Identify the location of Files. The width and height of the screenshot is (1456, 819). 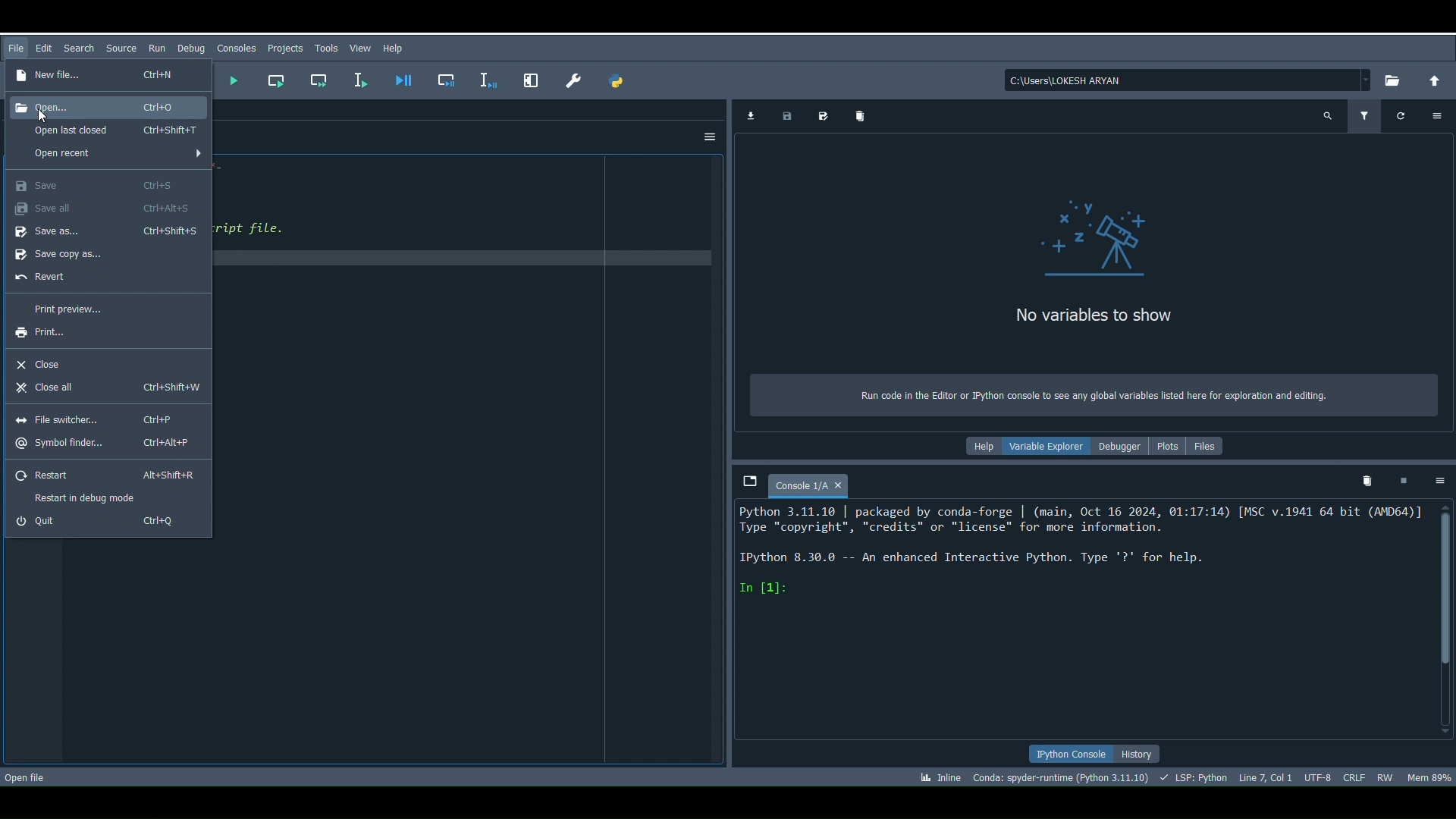
(1207, 447).